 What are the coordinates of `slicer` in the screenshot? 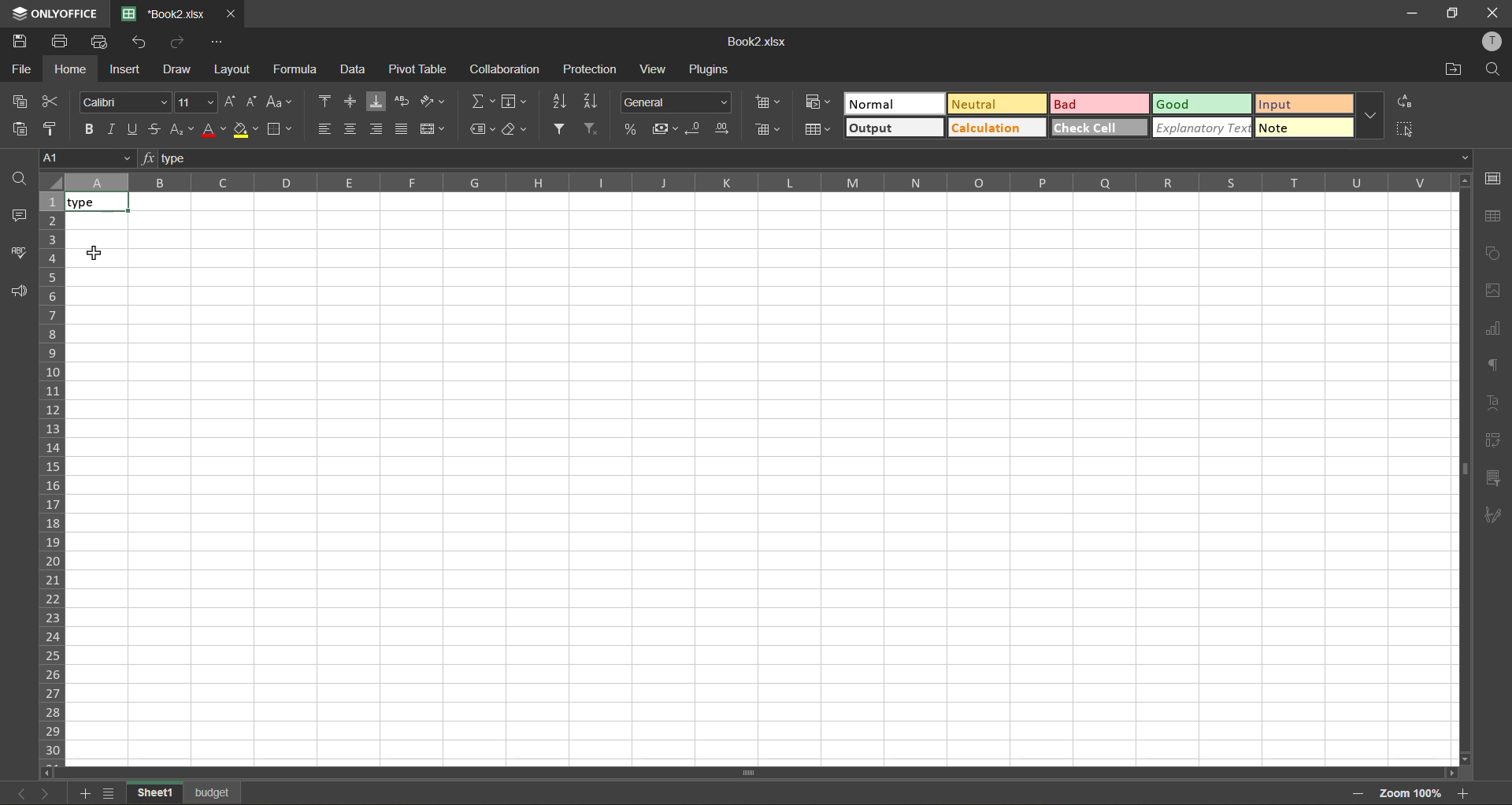 It's located at (1495, 479).